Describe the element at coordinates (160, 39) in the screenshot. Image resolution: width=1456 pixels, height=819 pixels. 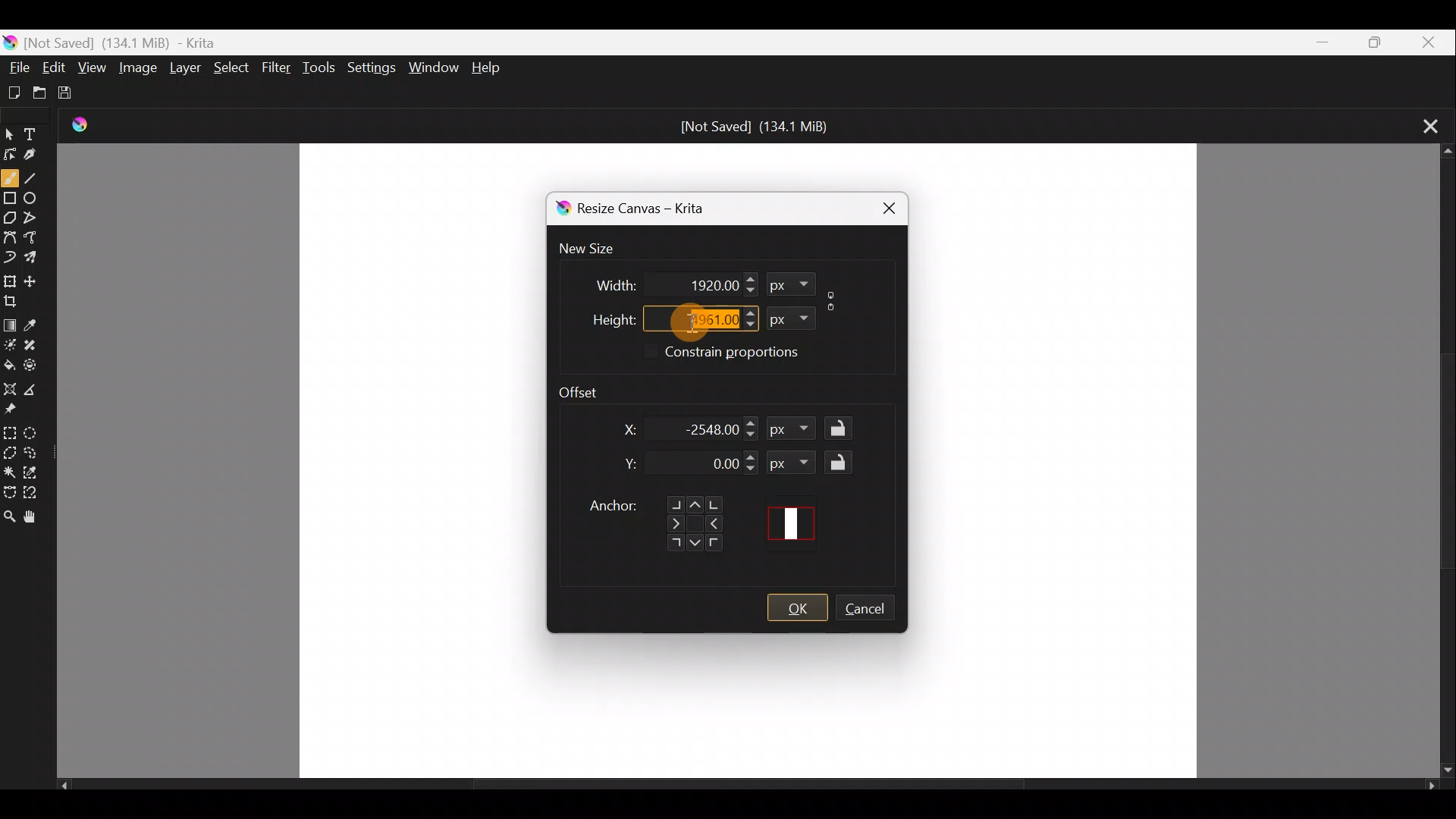
I see `[Not Saved] (134.1 MiB) - Krita` at that location.